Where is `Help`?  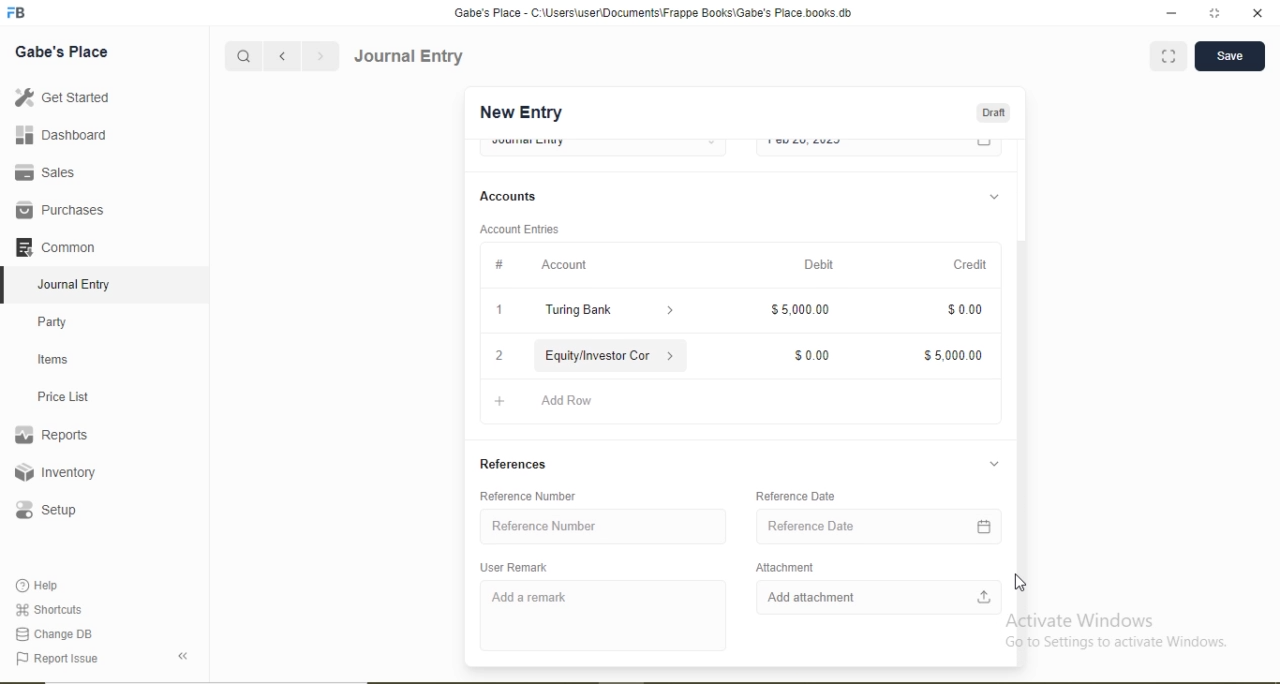 Help is located at coordinates (39, 585).